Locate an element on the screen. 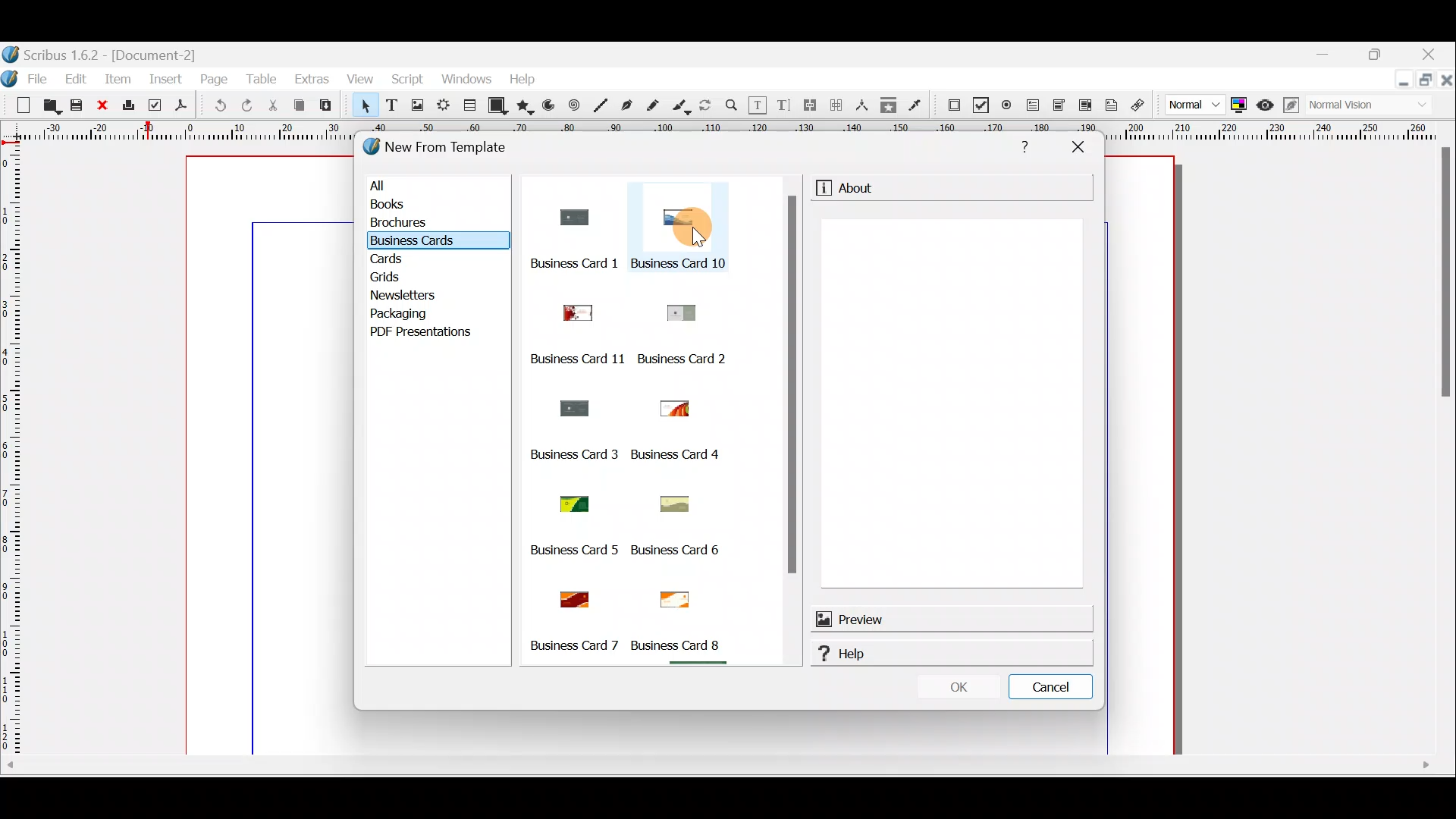  Line is located at coordinates (599, 106).